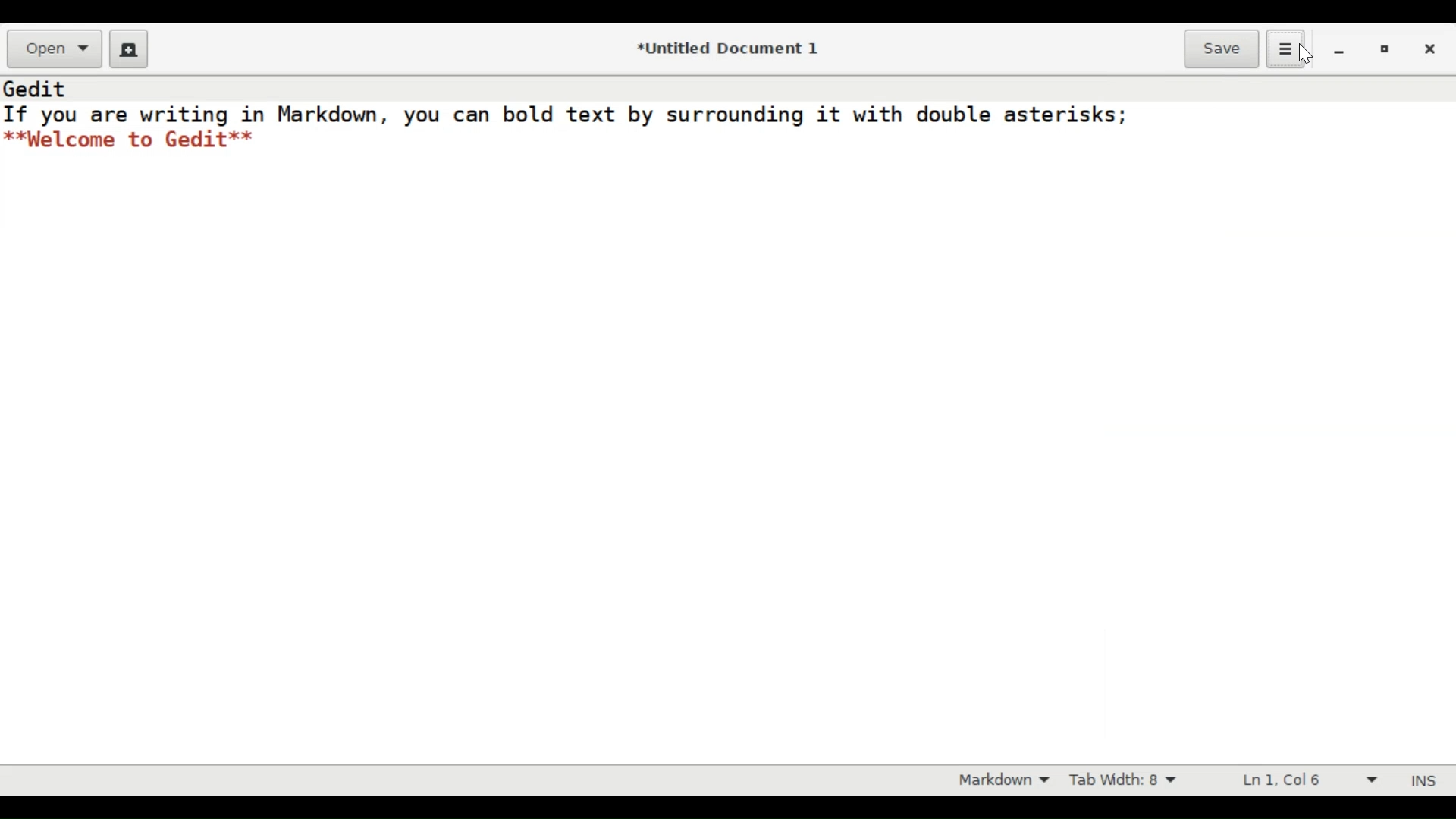 This screenshot has height=819, width=1456. Describe the element at coordinates (733, 50) in the screenshot. I see `*Untitled Document 1` at that location.